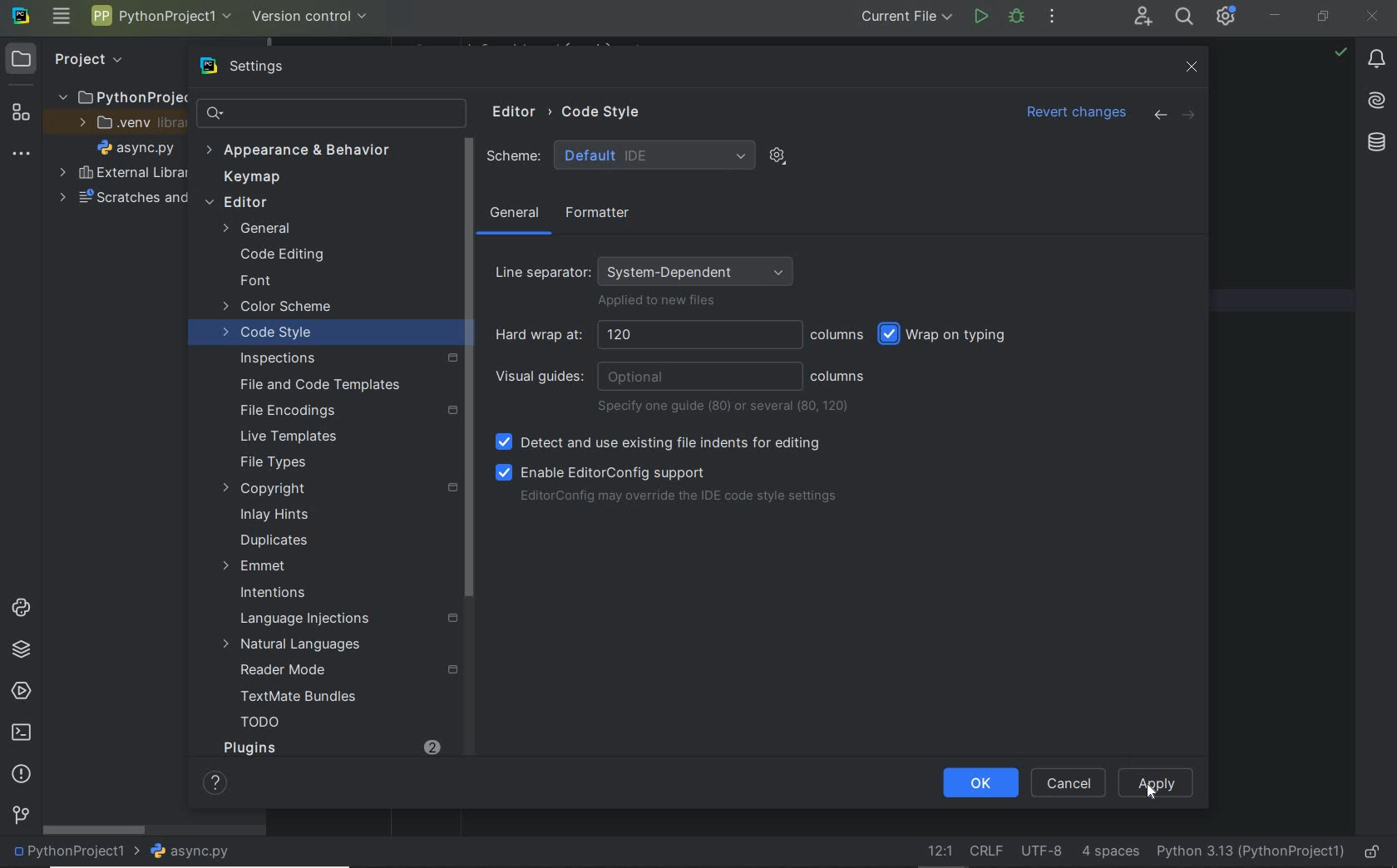 The height and width of the screenshot is (868, 1397). I want to click on Go to line, so click(936, 851).